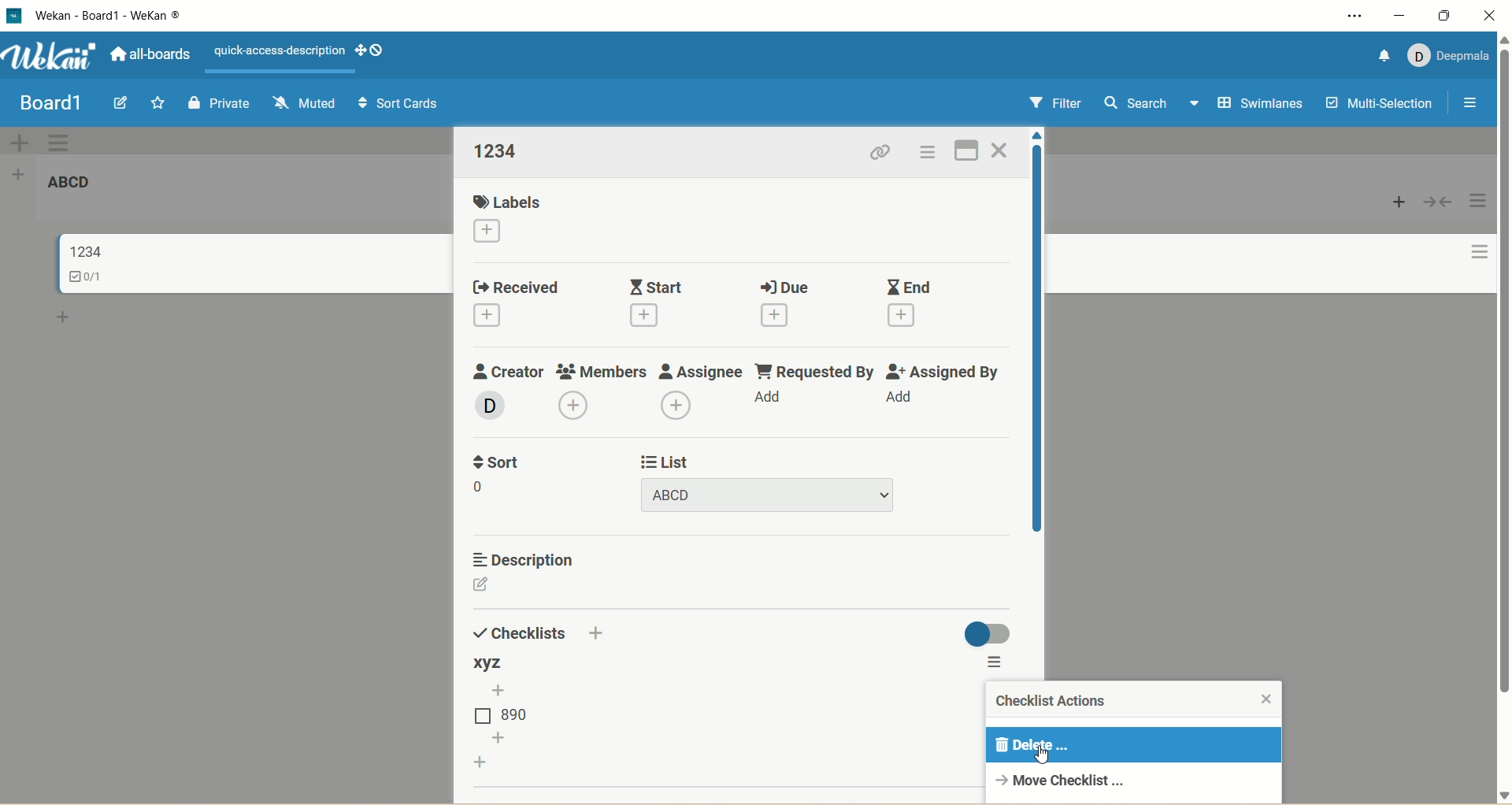 This screenshot has height=805, width=1512. Describe the element at coordinates (494, 231) in the screenshot. I see `add` at that location.